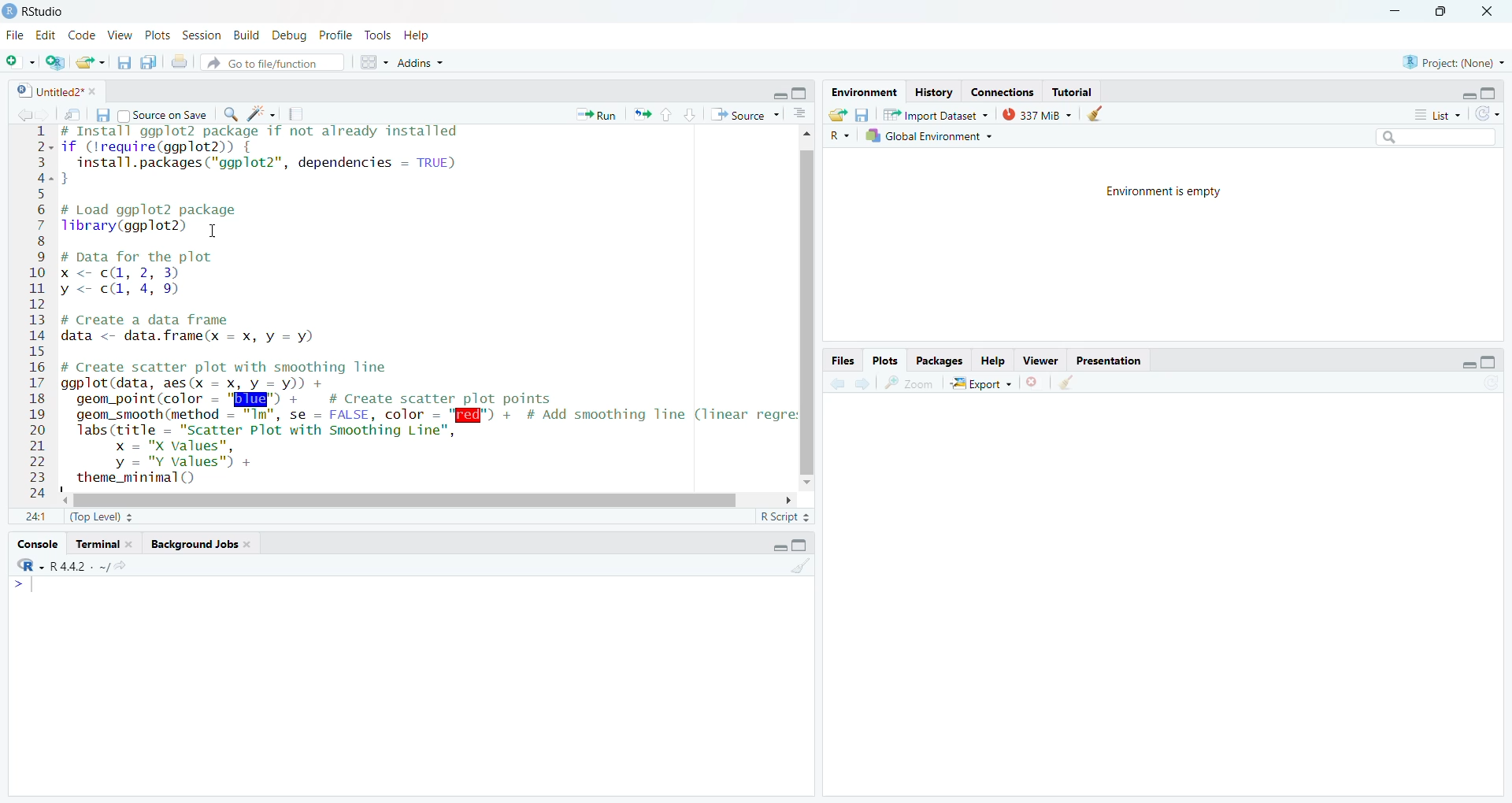 This screenshot has width=1512, height=803. What do you see at coordinates (247, 35) in the screenshot?
I see `Build` at bounding box center [247, 35].